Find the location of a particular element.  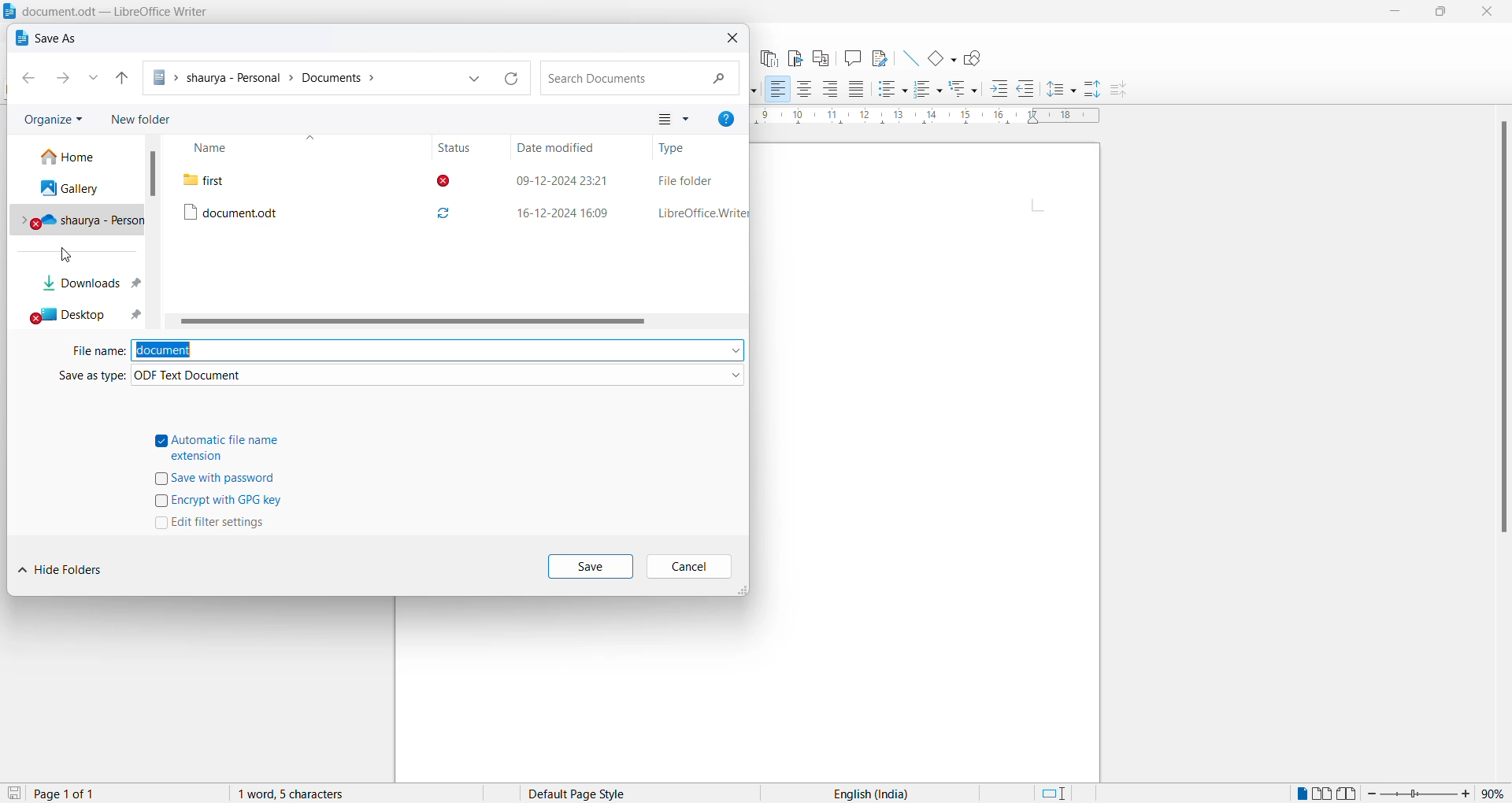

automatic file name extenstion checkbox is located at coordinates (226, 446).